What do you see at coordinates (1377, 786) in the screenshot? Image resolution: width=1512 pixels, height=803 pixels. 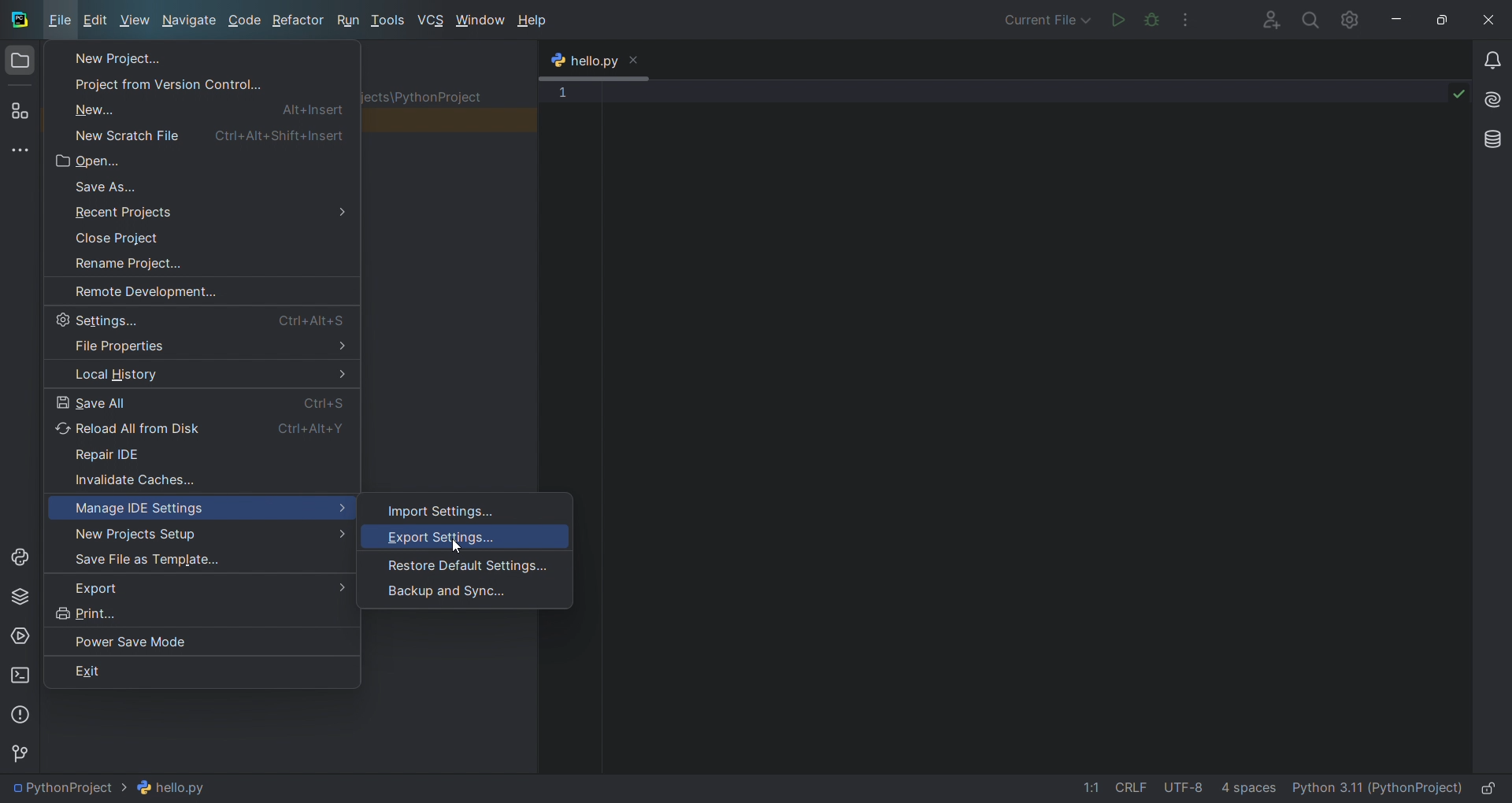 I see `interpreter` at bounding box center [1377, 786].